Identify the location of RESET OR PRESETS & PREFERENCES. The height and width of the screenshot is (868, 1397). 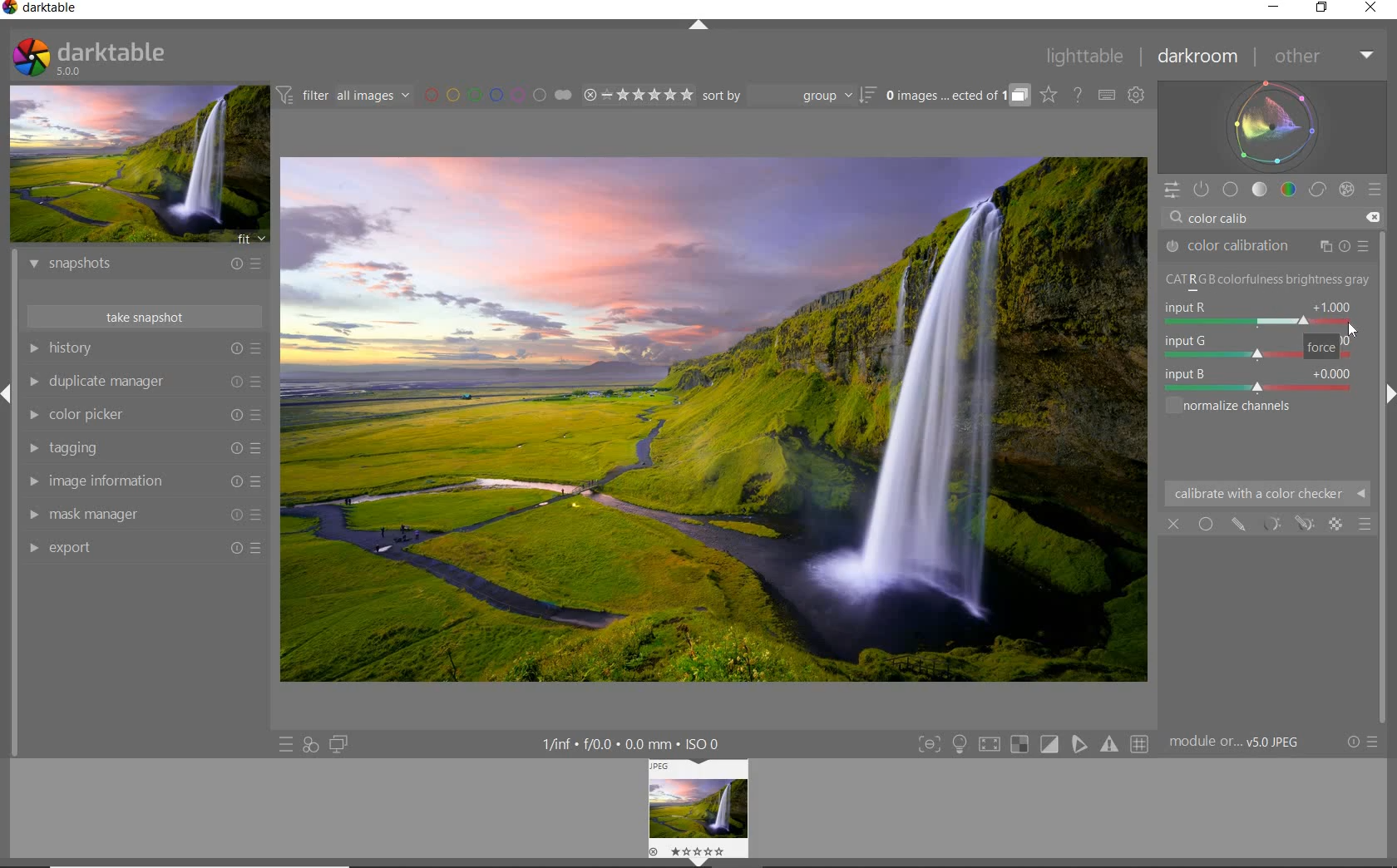
(1362, 743).